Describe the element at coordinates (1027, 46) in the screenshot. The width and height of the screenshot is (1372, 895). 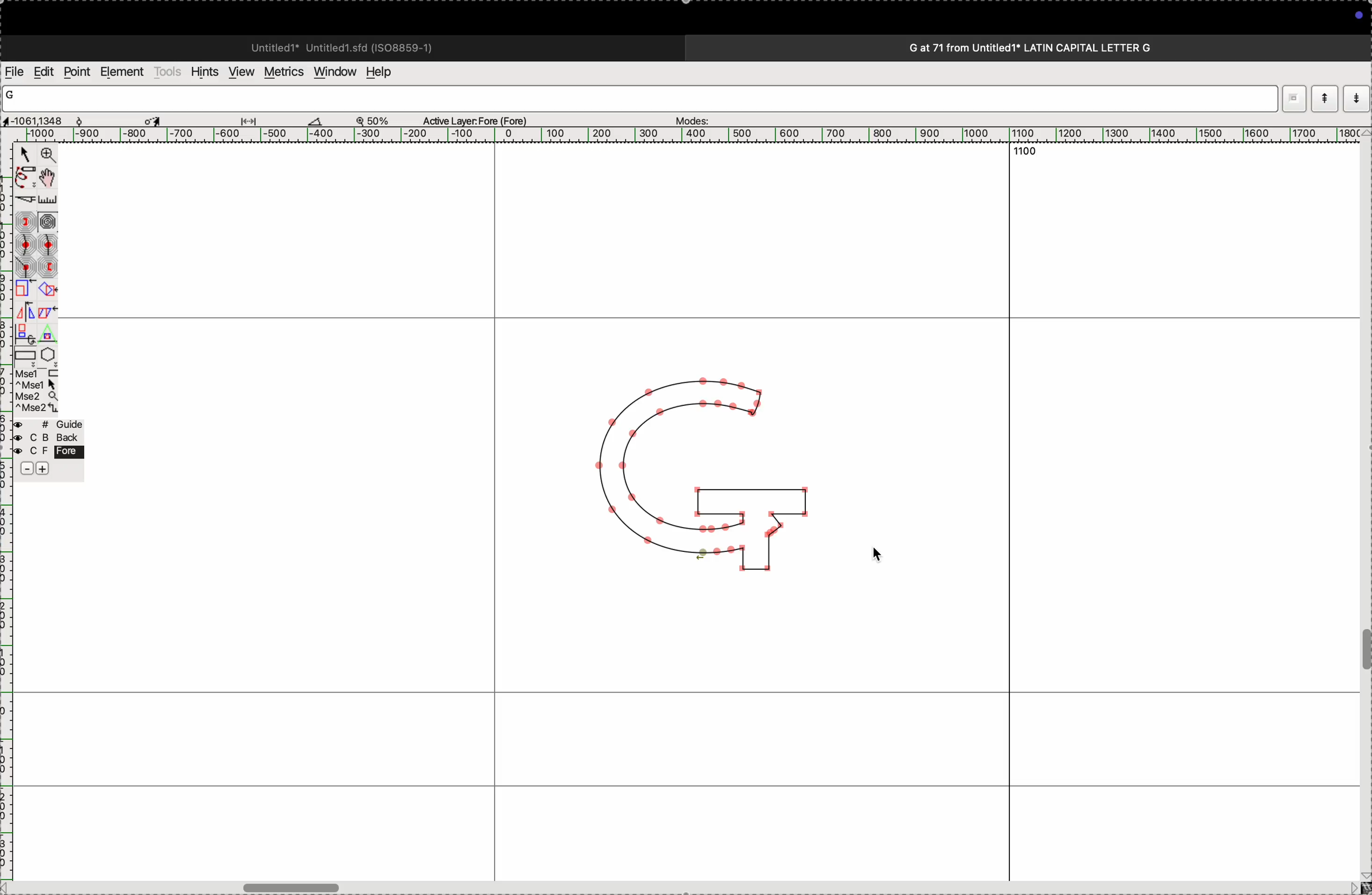
I see `G at 71 from Untitled1* LATIN CAPITAL LETTER G` at that location.